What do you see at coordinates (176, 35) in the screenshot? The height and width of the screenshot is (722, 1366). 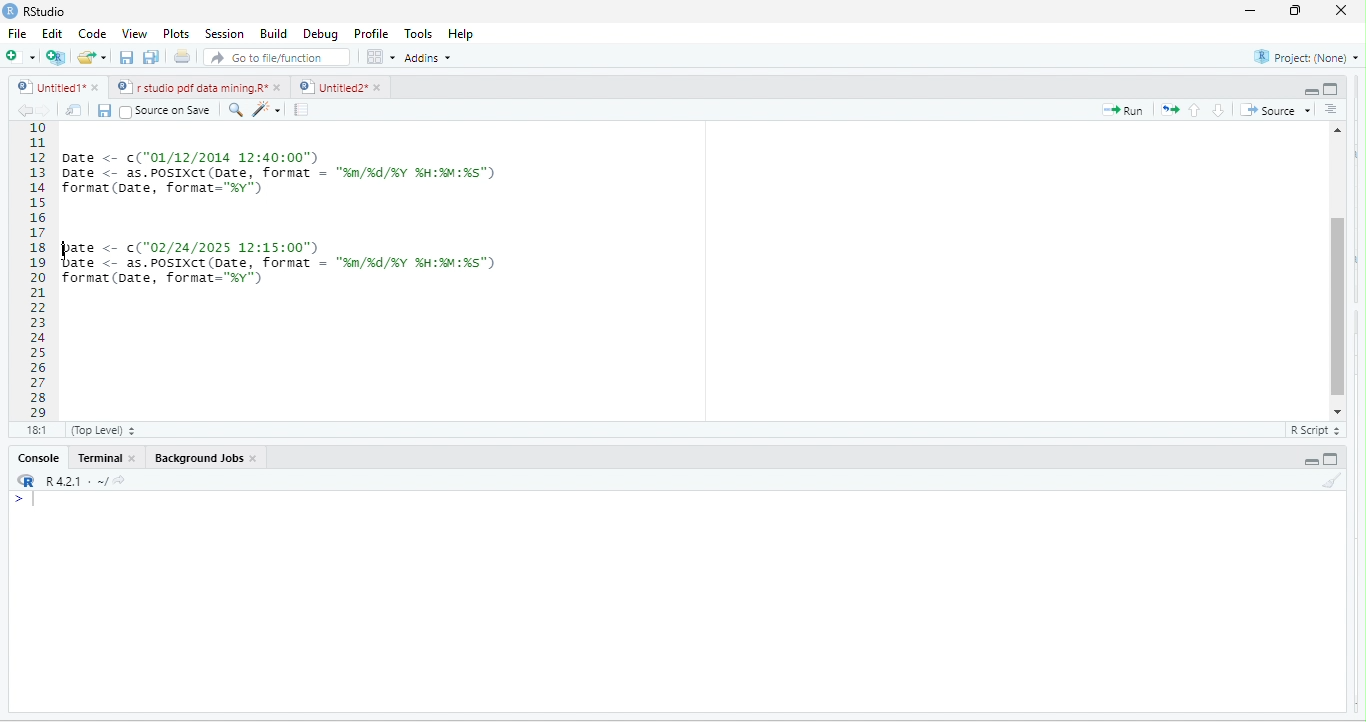 I see `Plots` at bounding box center [176, 35].